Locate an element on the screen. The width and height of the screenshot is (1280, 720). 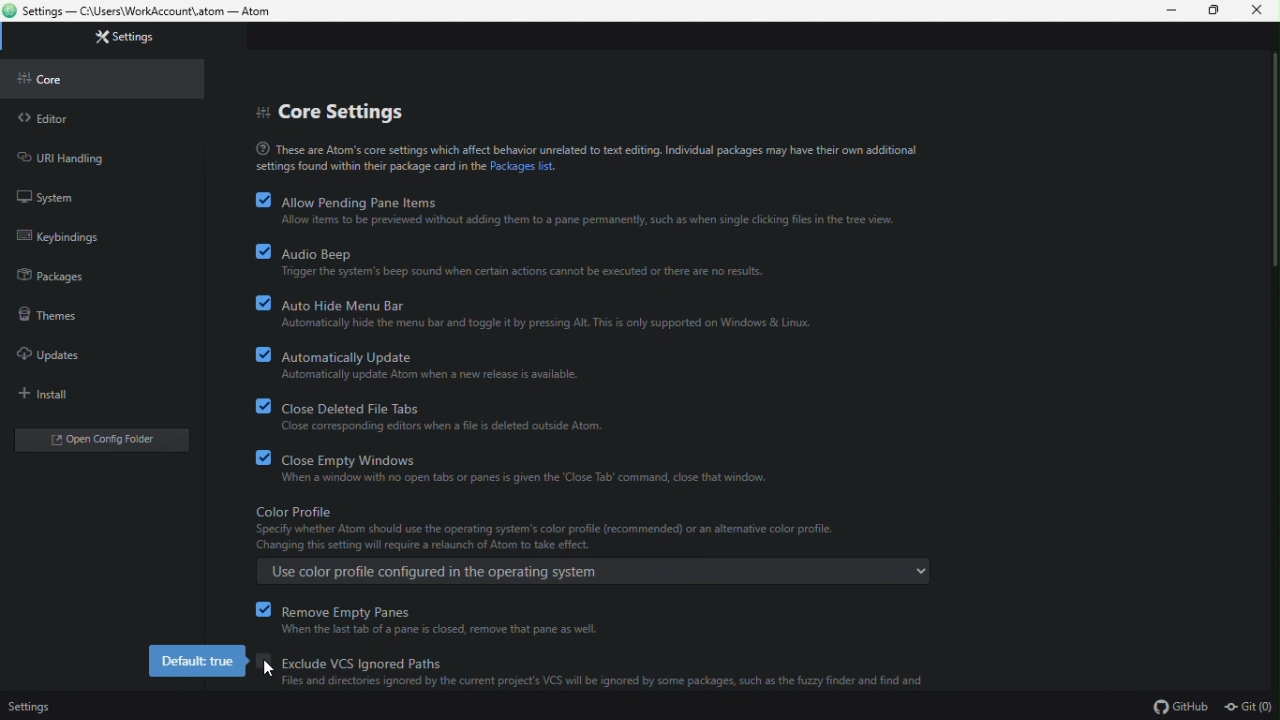
GitHub is located at coordinates (1181, 707).